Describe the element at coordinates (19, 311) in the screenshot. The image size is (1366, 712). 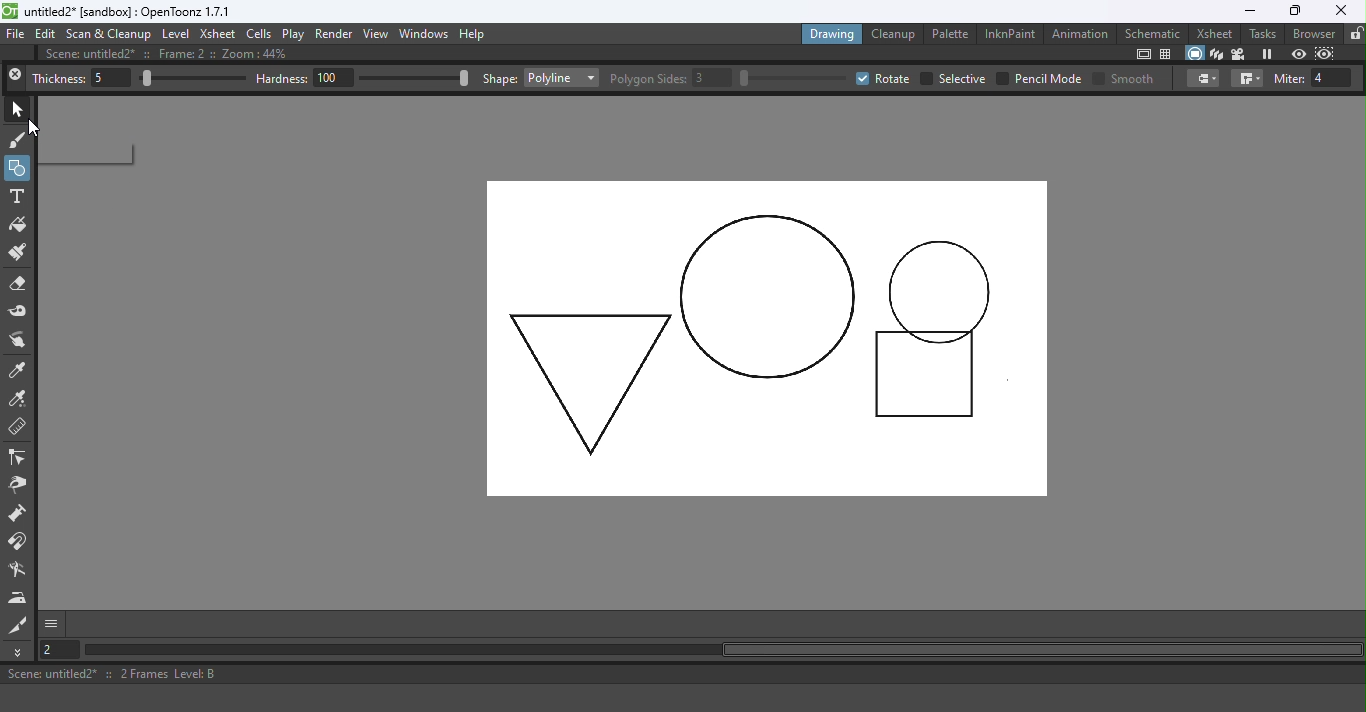
I see `Tape tool` at that location.